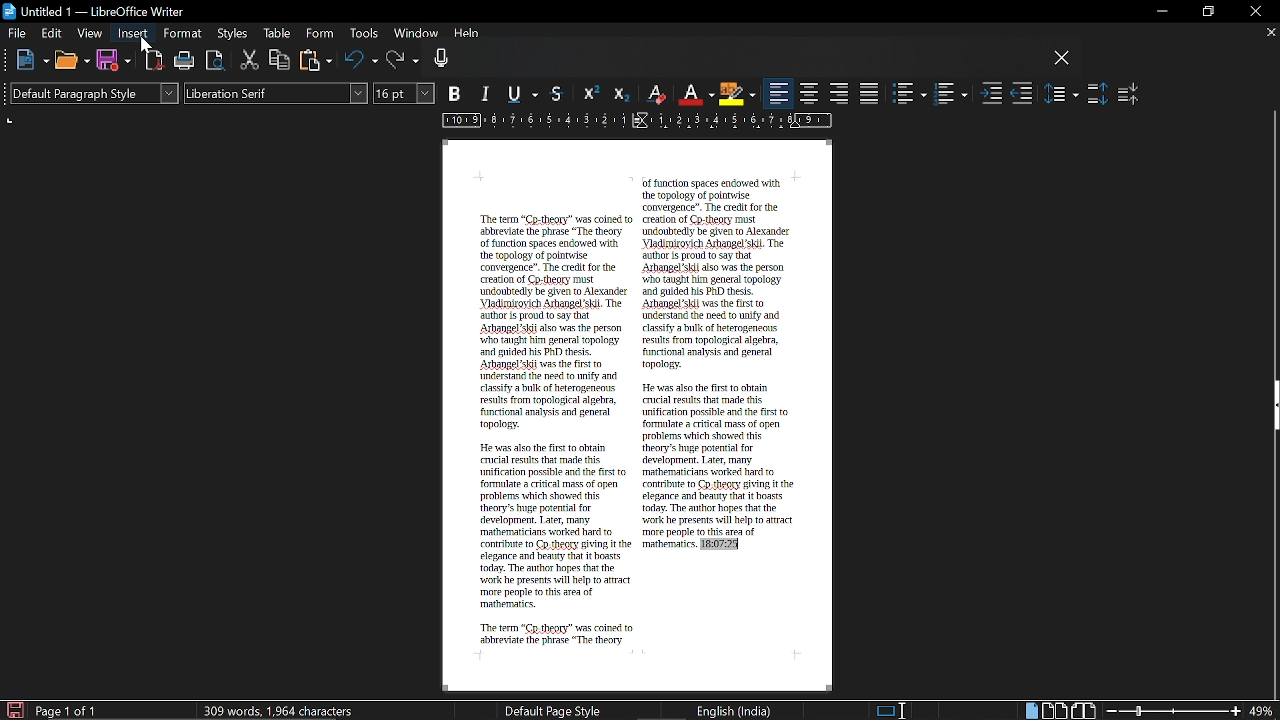 This screenshot has height=720, width=1280. I want to click on Format, so click(182, 34).